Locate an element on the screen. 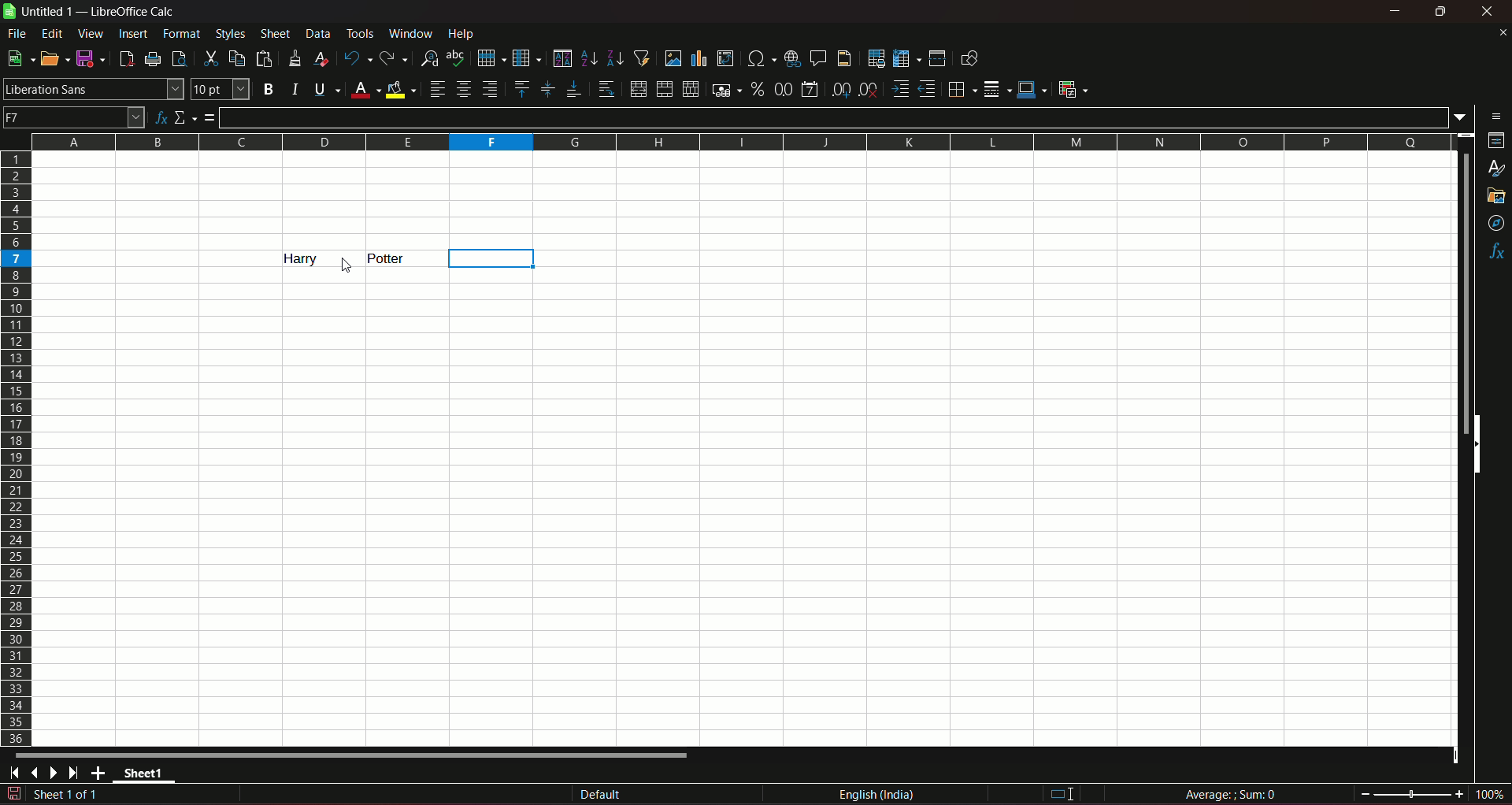 The height and width of the screenshot is (805, 1512). merge is located at coordinates (664, 90).